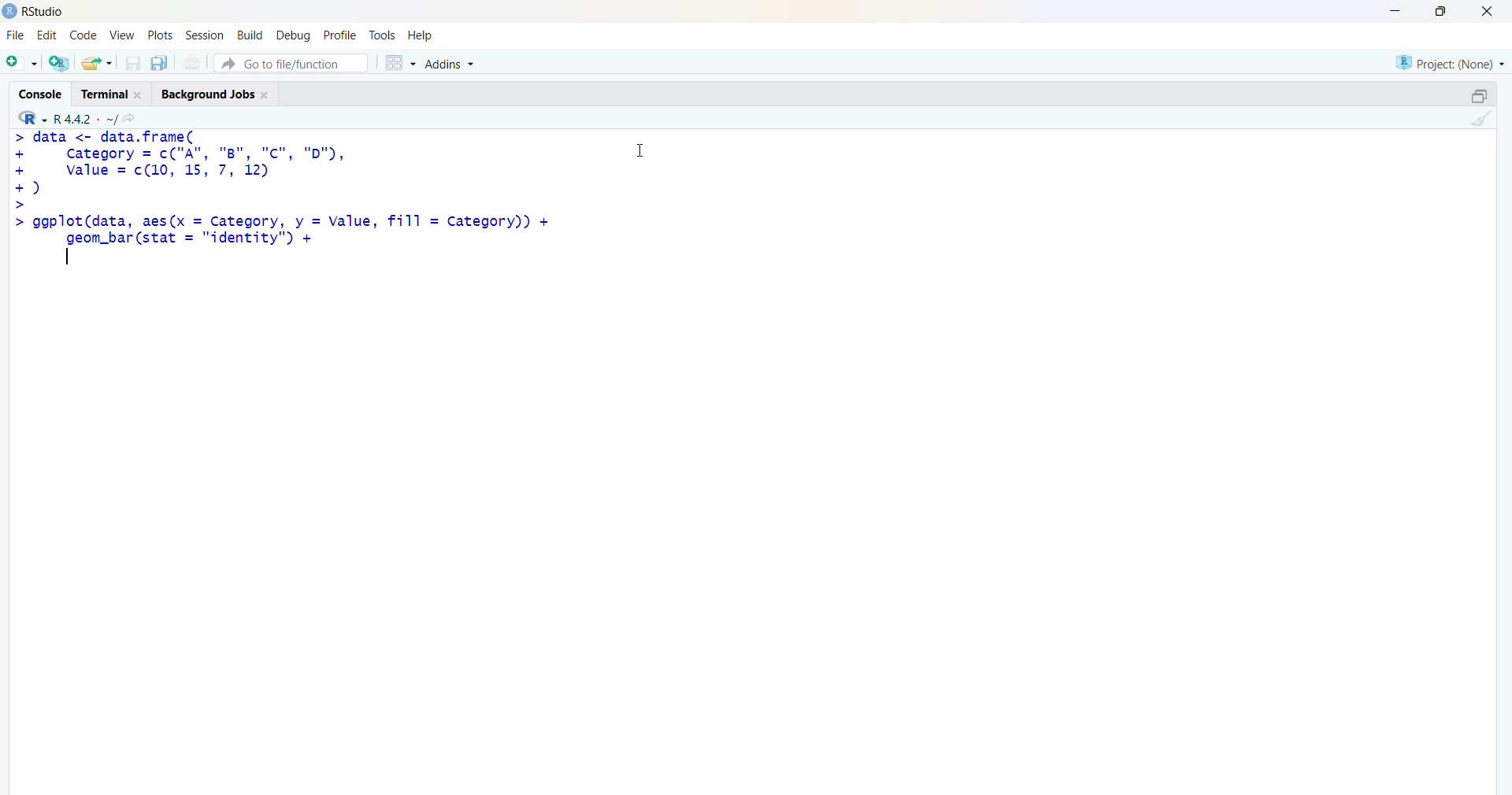 This screenshot has width=1512, height=795. I want to click on tools, so click(384, 35).